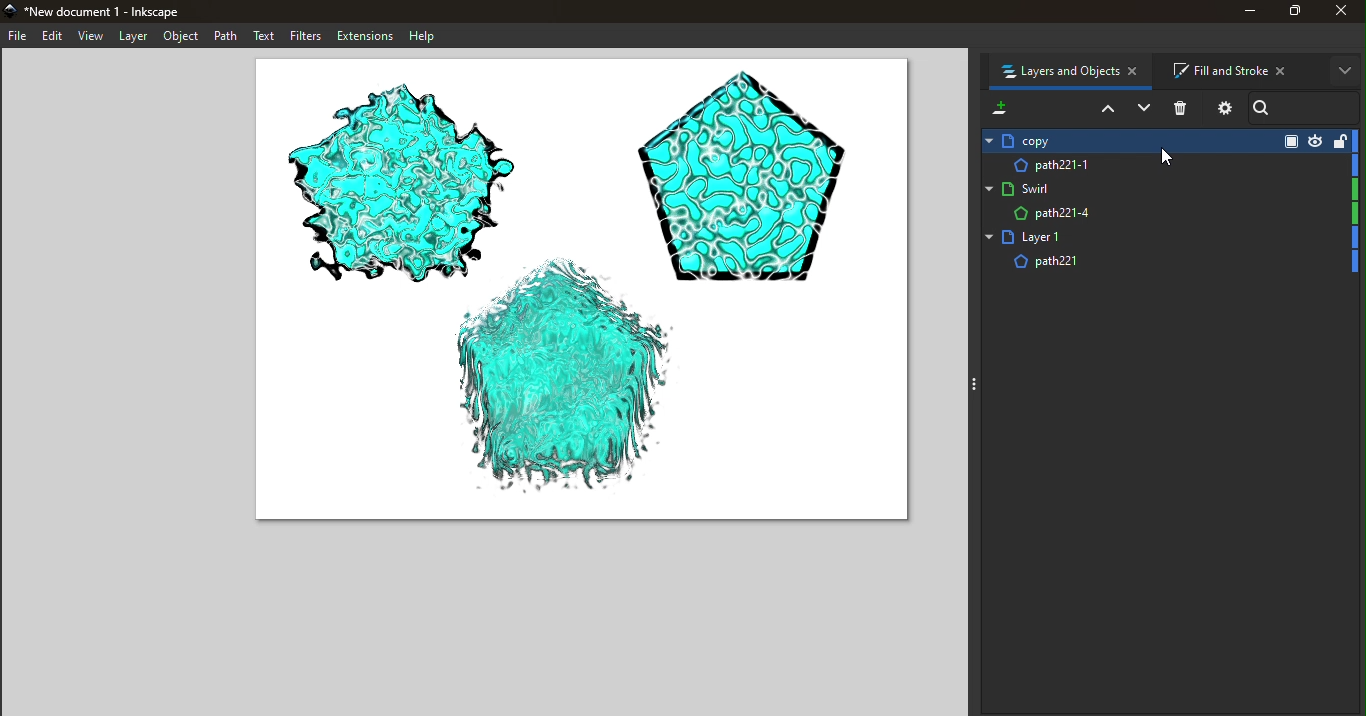 The image size is (1366, 716). What do you see at coordinates (227, 37) in the screenshot?
I see `Path` at bounding box center [227, 37].